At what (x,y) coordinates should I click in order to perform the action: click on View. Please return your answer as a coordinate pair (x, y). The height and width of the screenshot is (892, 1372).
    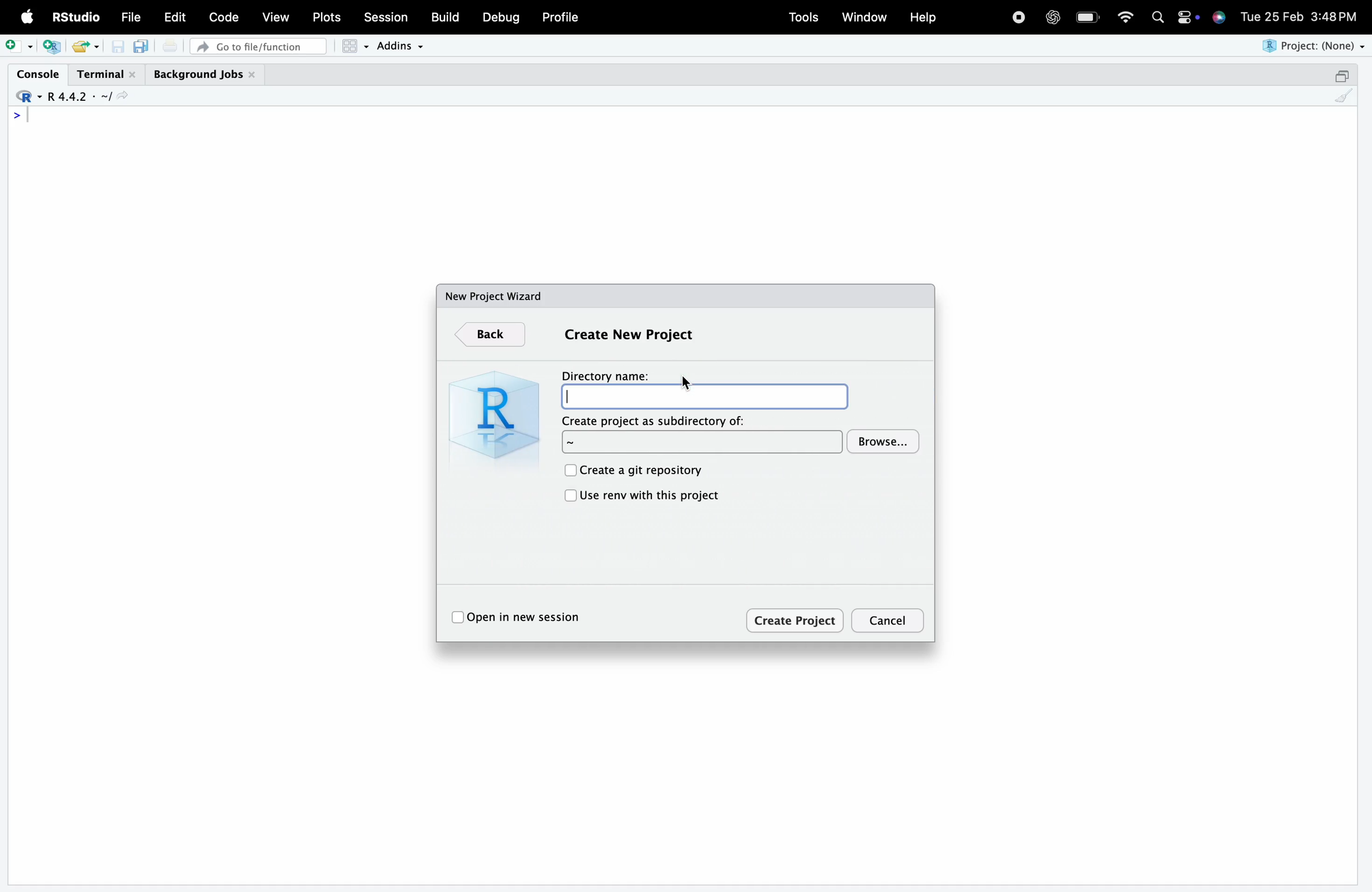
    Looking at the image, I should click on (276, 16).